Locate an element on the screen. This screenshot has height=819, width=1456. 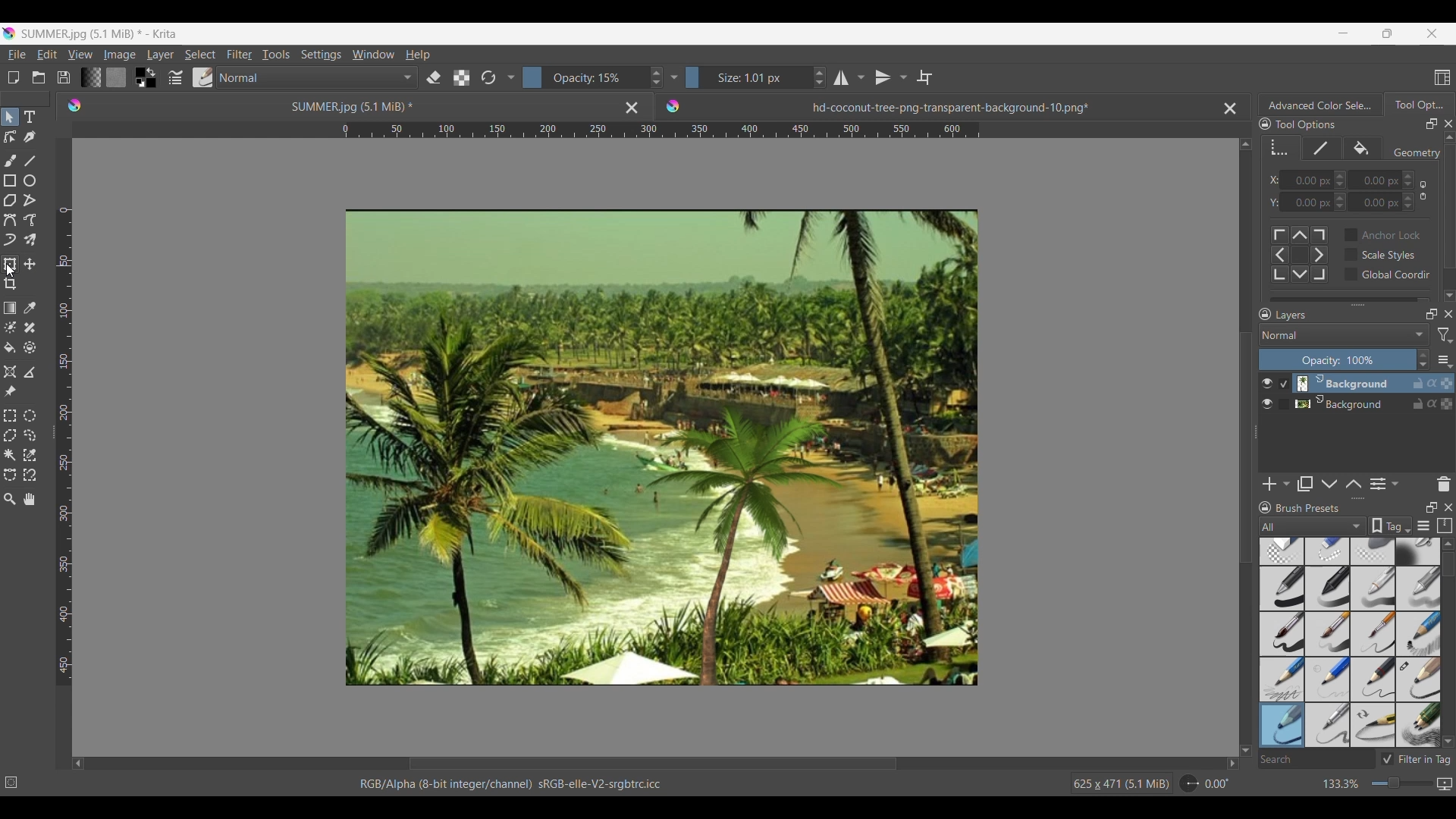
No current selection is located at coordinates (15, 780).